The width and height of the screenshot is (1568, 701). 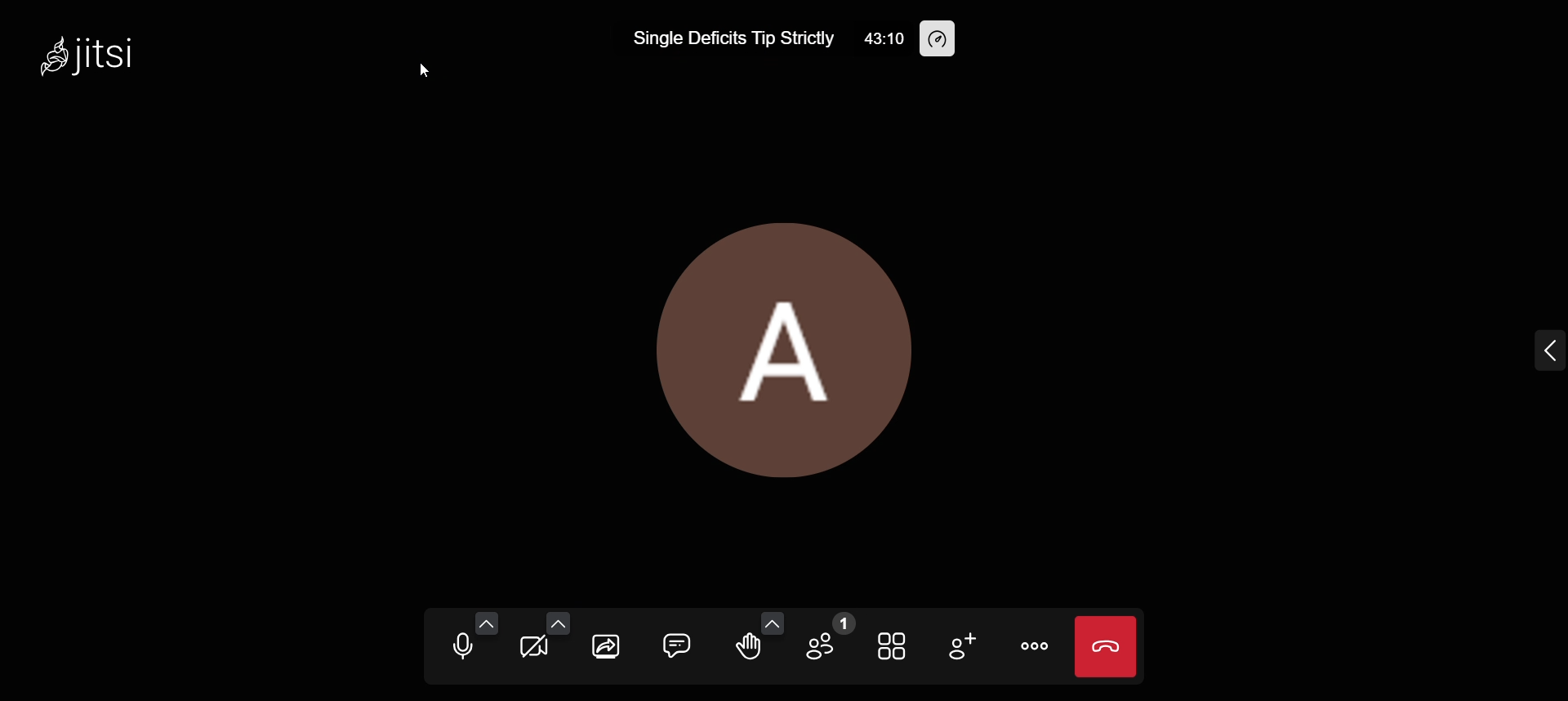 I want to click on screen share, so click(x=607, y=648).